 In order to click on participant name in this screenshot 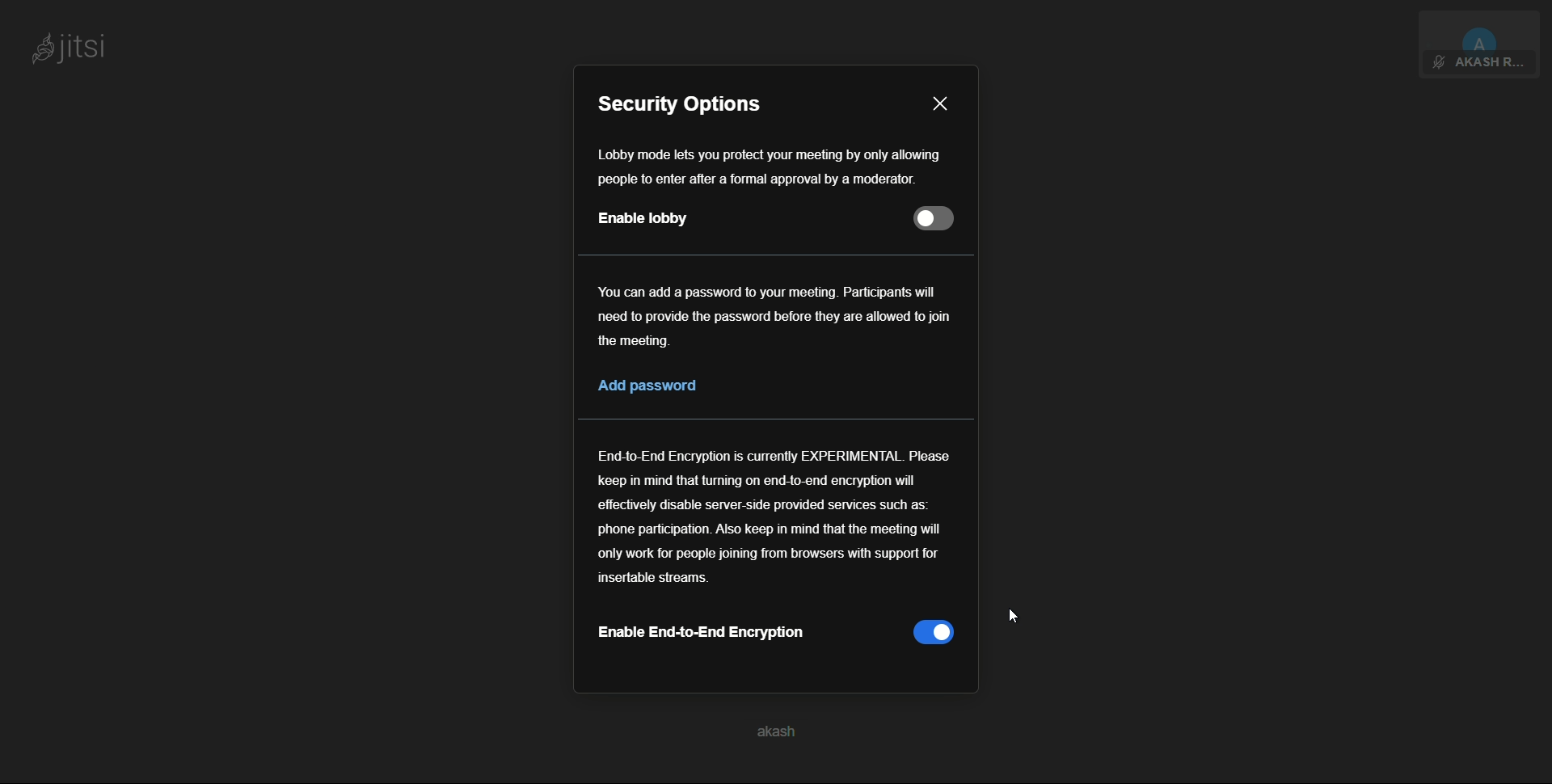, I will do `click(1487, 64)`.